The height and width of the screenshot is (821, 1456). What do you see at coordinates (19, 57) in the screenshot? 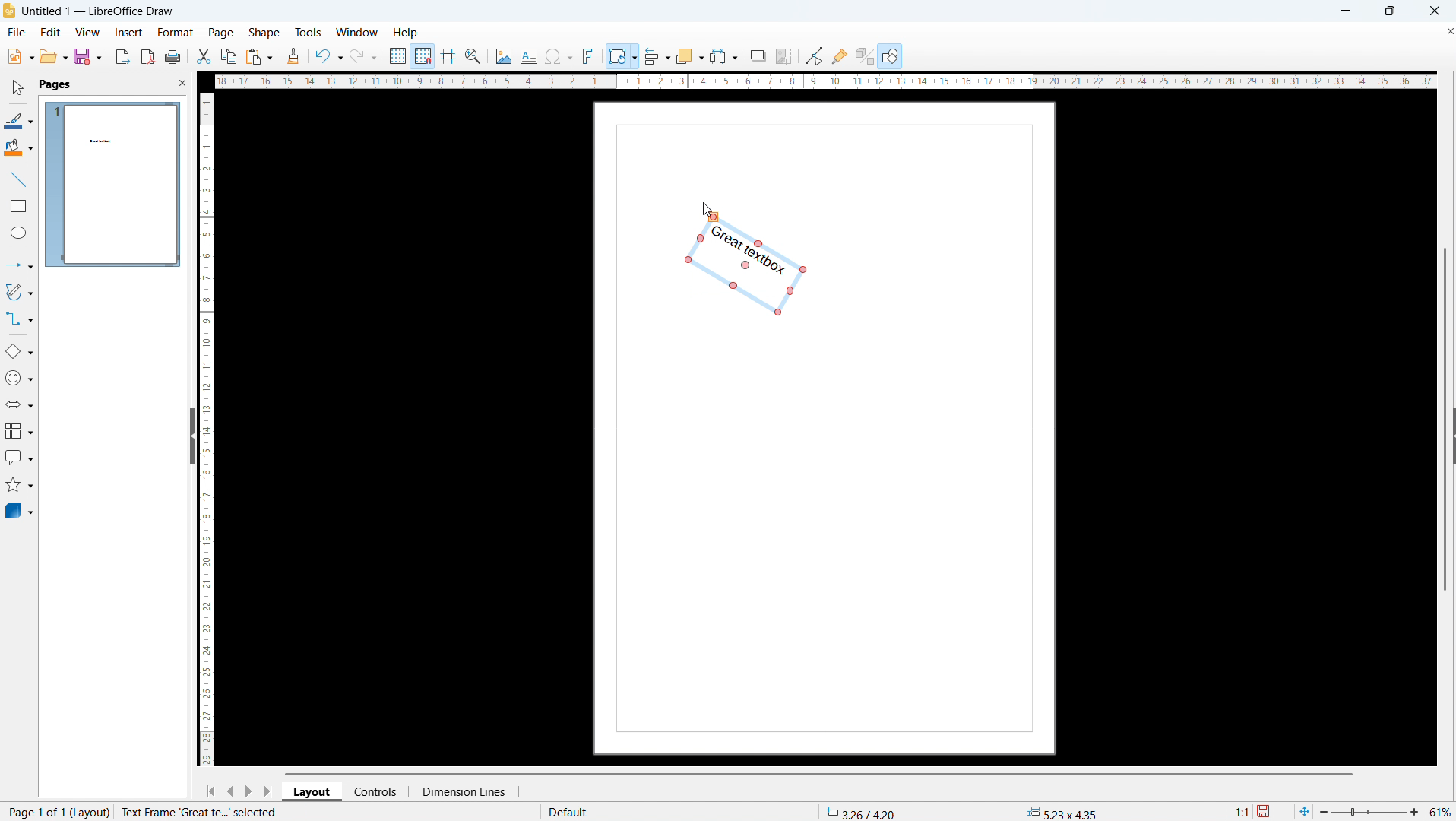
I see `file` at bounding box center [19, 57].